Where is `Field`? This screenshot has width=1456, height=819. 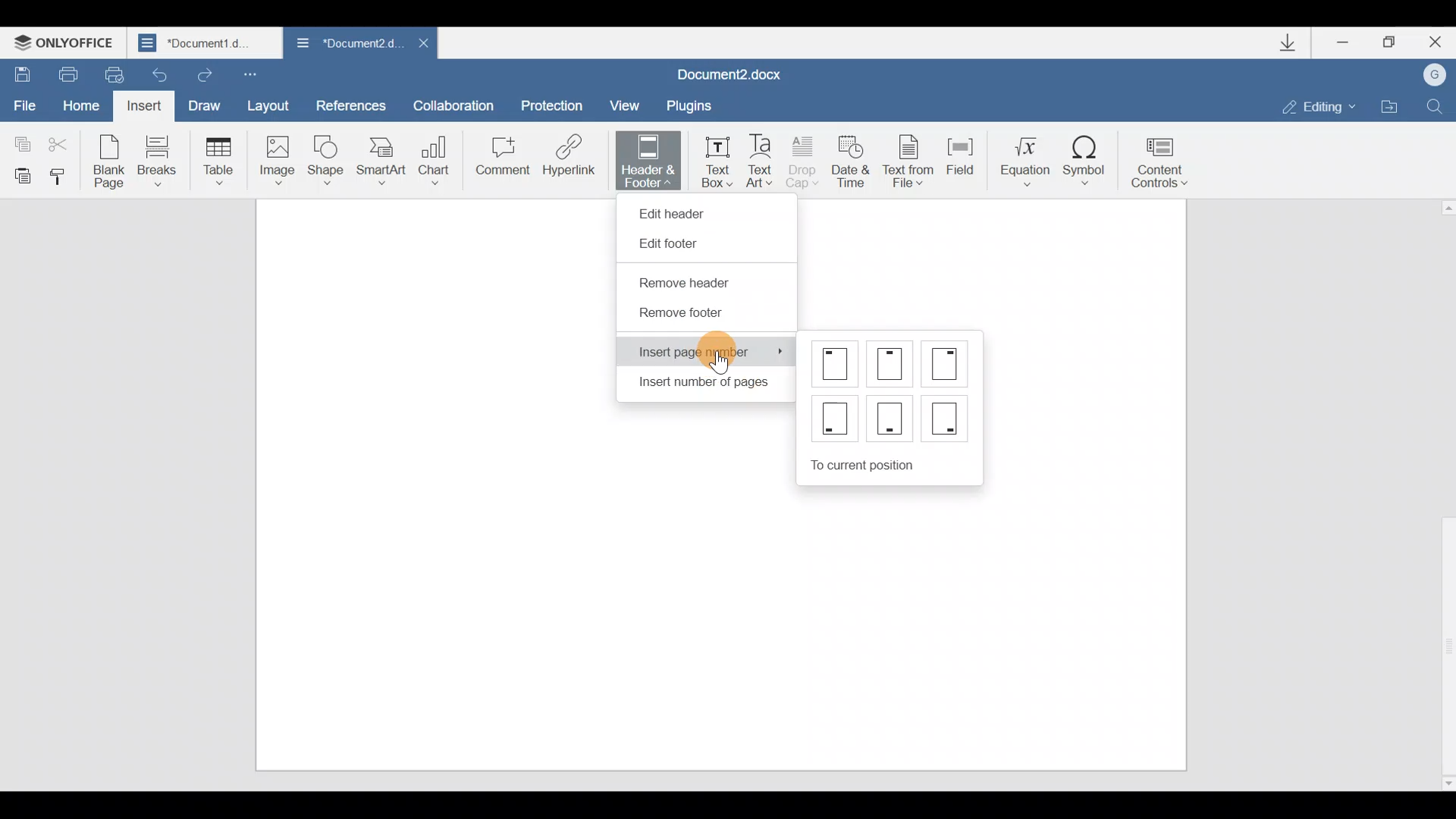 Field is located at coordinates (956, 162).